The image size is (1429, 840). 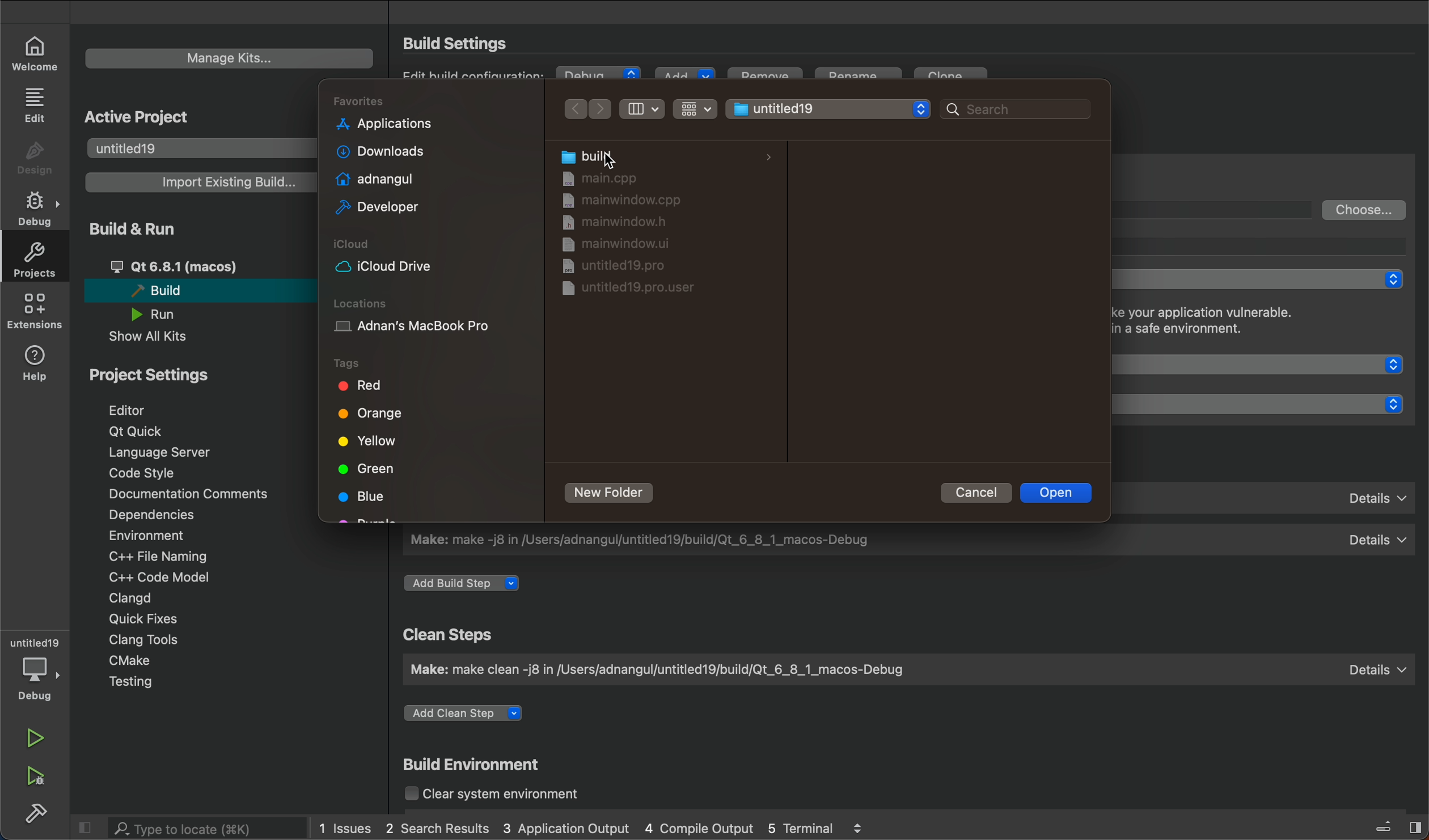 I want to click on close side bar, so click(x=86, y=826).